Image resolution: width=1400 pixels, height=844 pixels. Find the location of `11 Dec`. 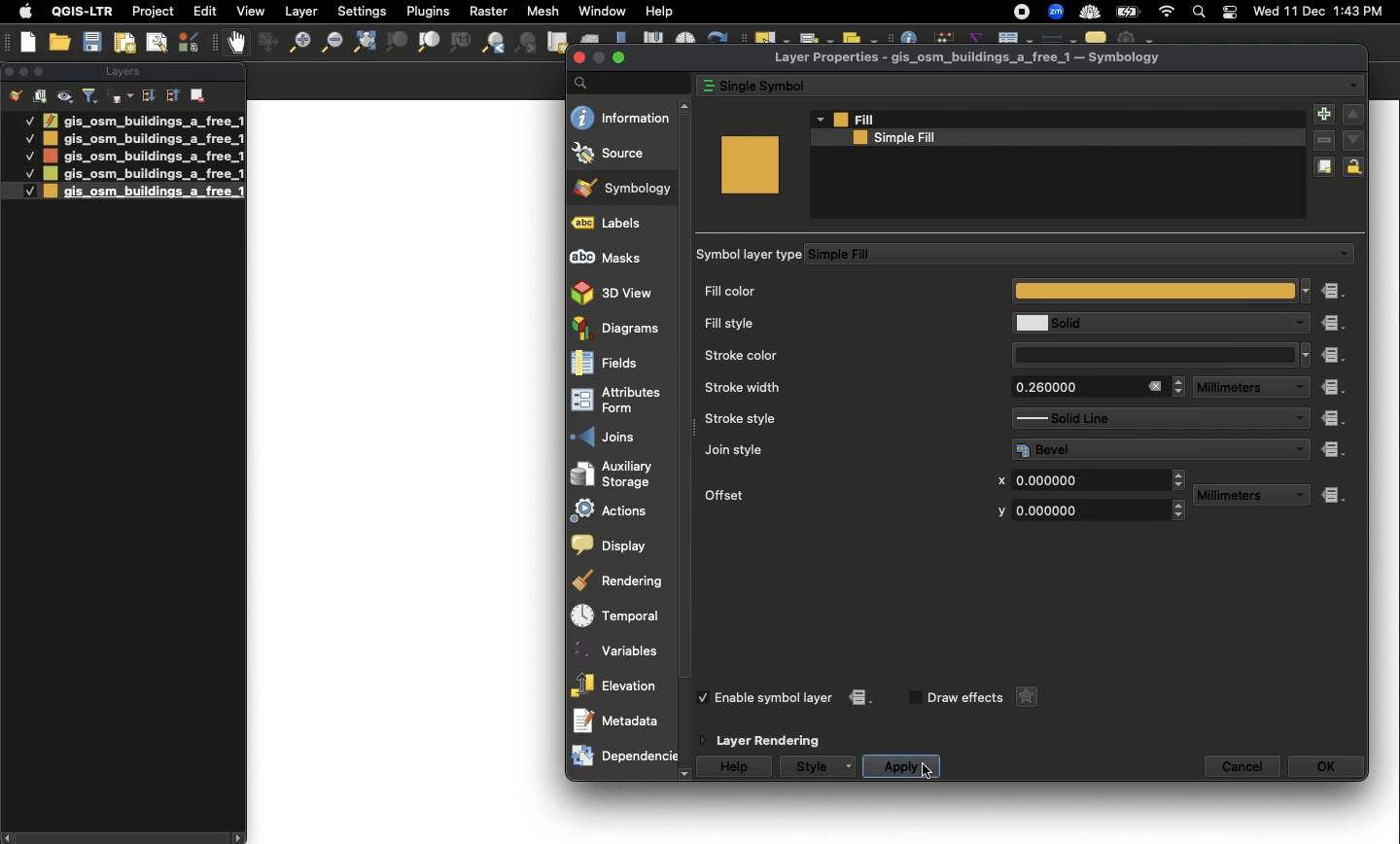

11 Dec is located at coordinates (1306, 14).